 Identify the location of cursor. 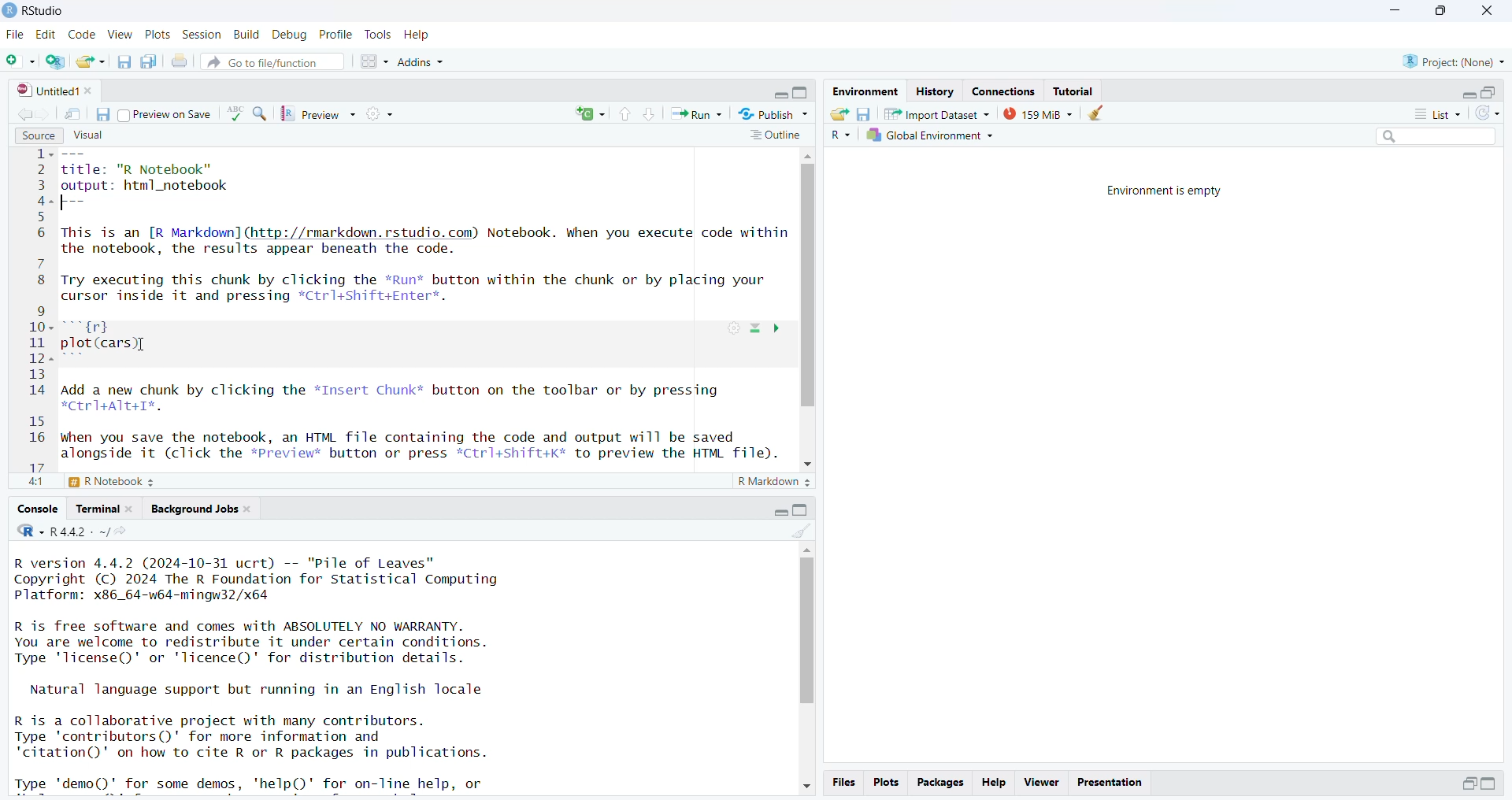
(143, 344).